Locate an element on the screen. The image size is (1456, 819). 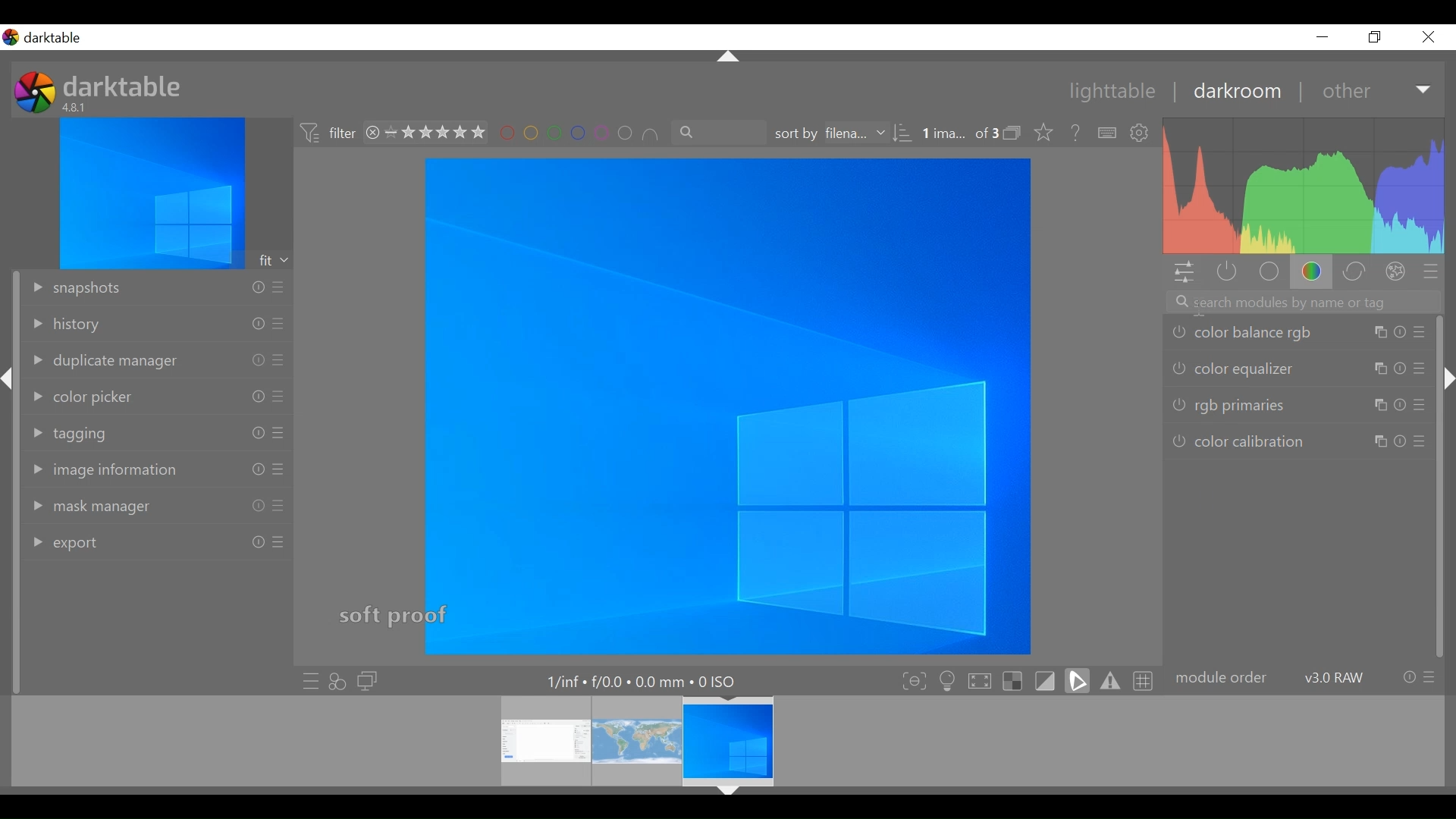
filmstrip is located at coordinates (723, 741).